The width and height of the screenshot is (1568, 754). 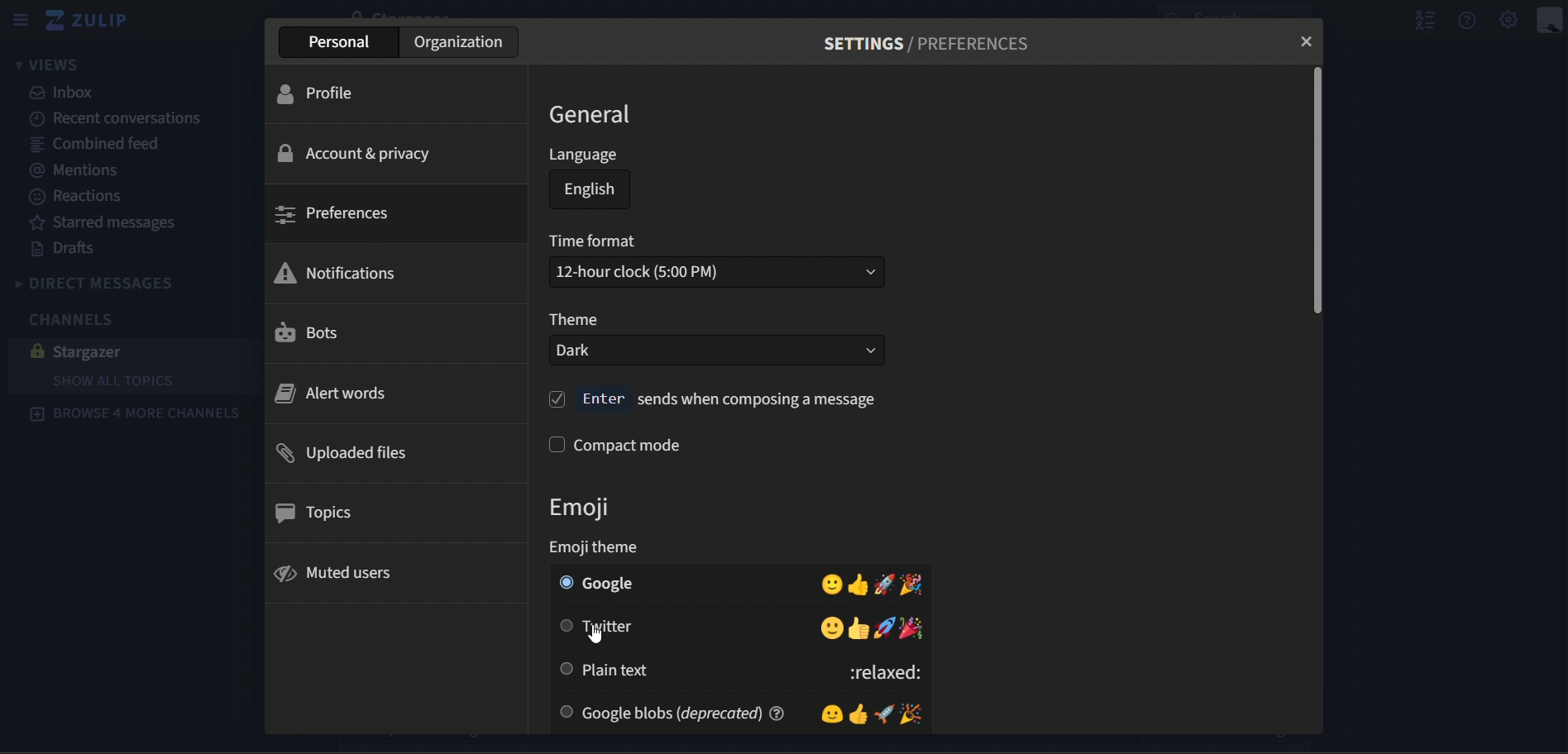 What do you see at coordinates (48, 64) in the screenshot?
I see `views` at bounding box center [48, 64].